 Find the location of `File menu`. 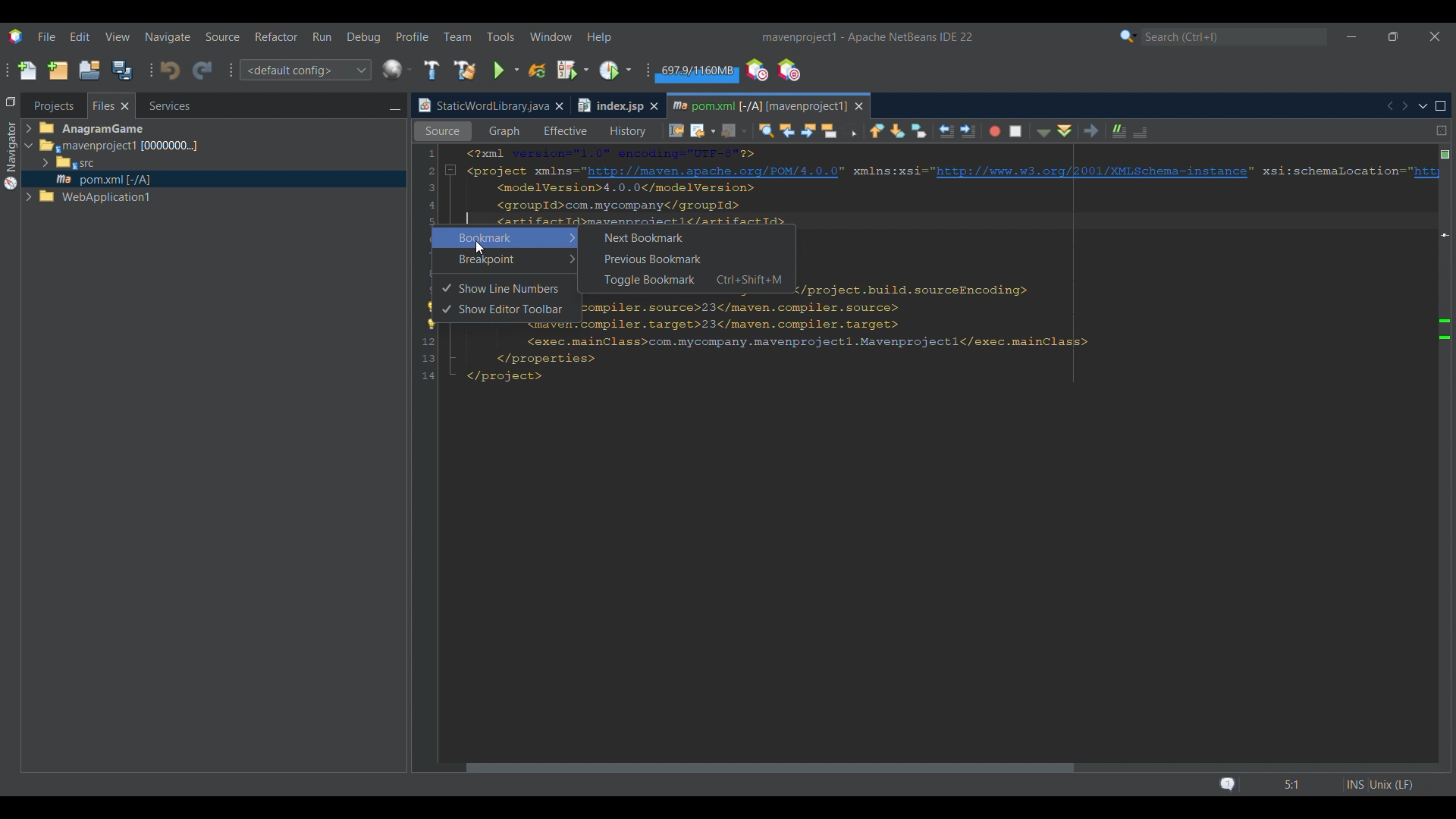

File menu is located at coordinates (46, 36).